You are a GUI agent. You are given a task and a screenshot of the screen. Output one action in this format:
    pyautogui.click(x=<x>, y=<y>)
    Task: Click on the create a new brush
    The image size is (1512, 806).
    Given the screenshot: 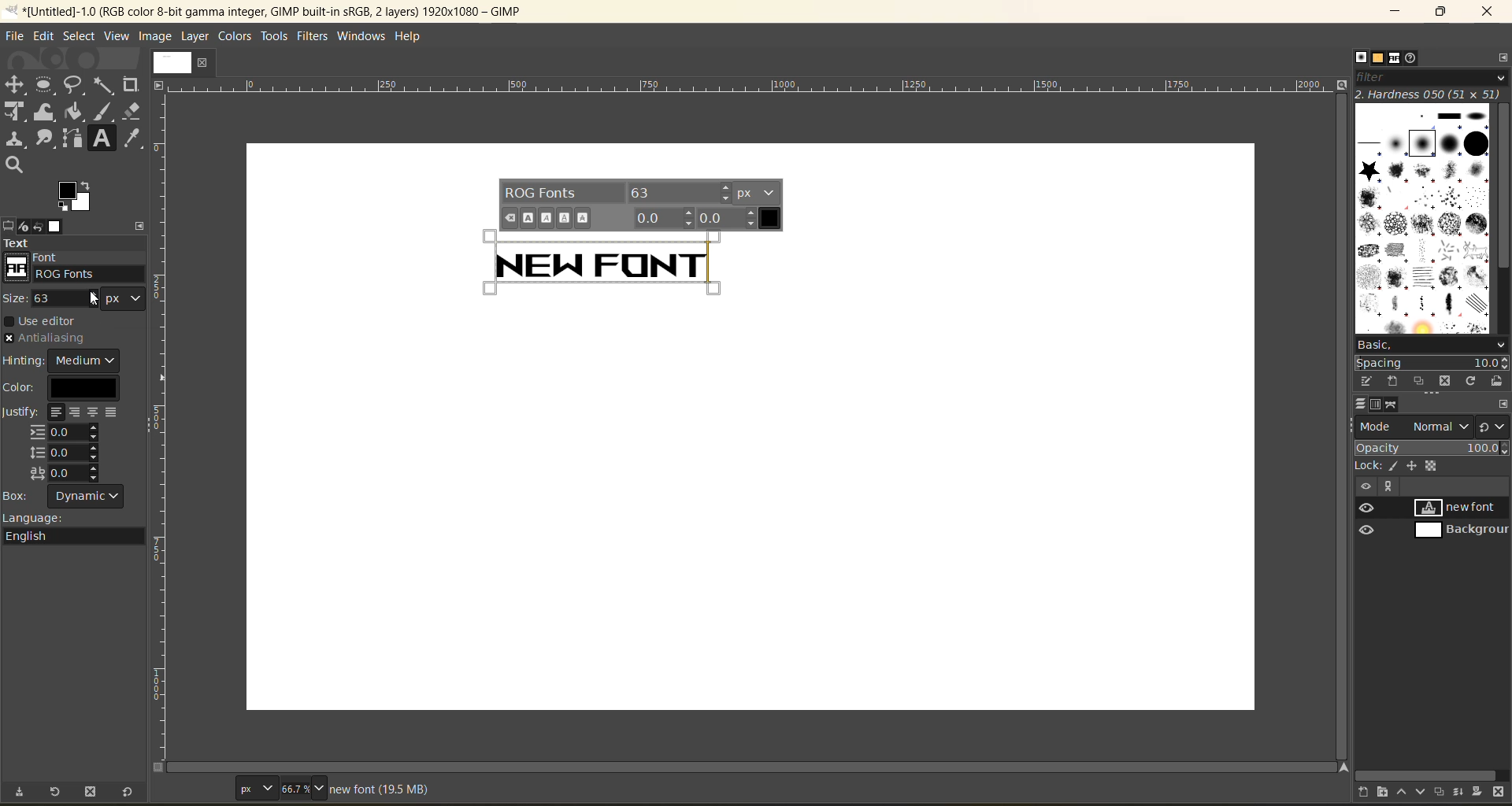 What is the action you would take?
    pyautogui.click(x=1392, y=383)
    